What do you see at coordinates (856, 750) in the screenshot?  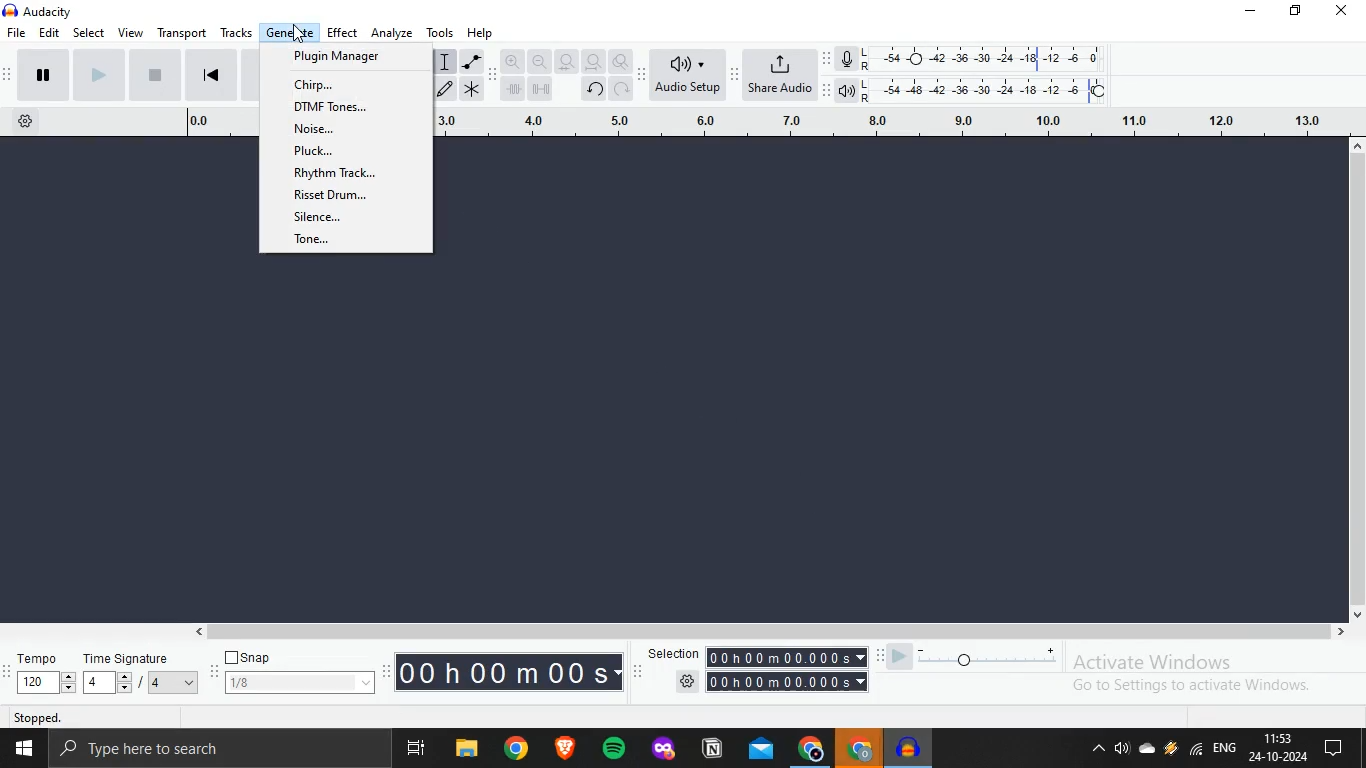 I see `Chrome` at bounding box center [856, 750].